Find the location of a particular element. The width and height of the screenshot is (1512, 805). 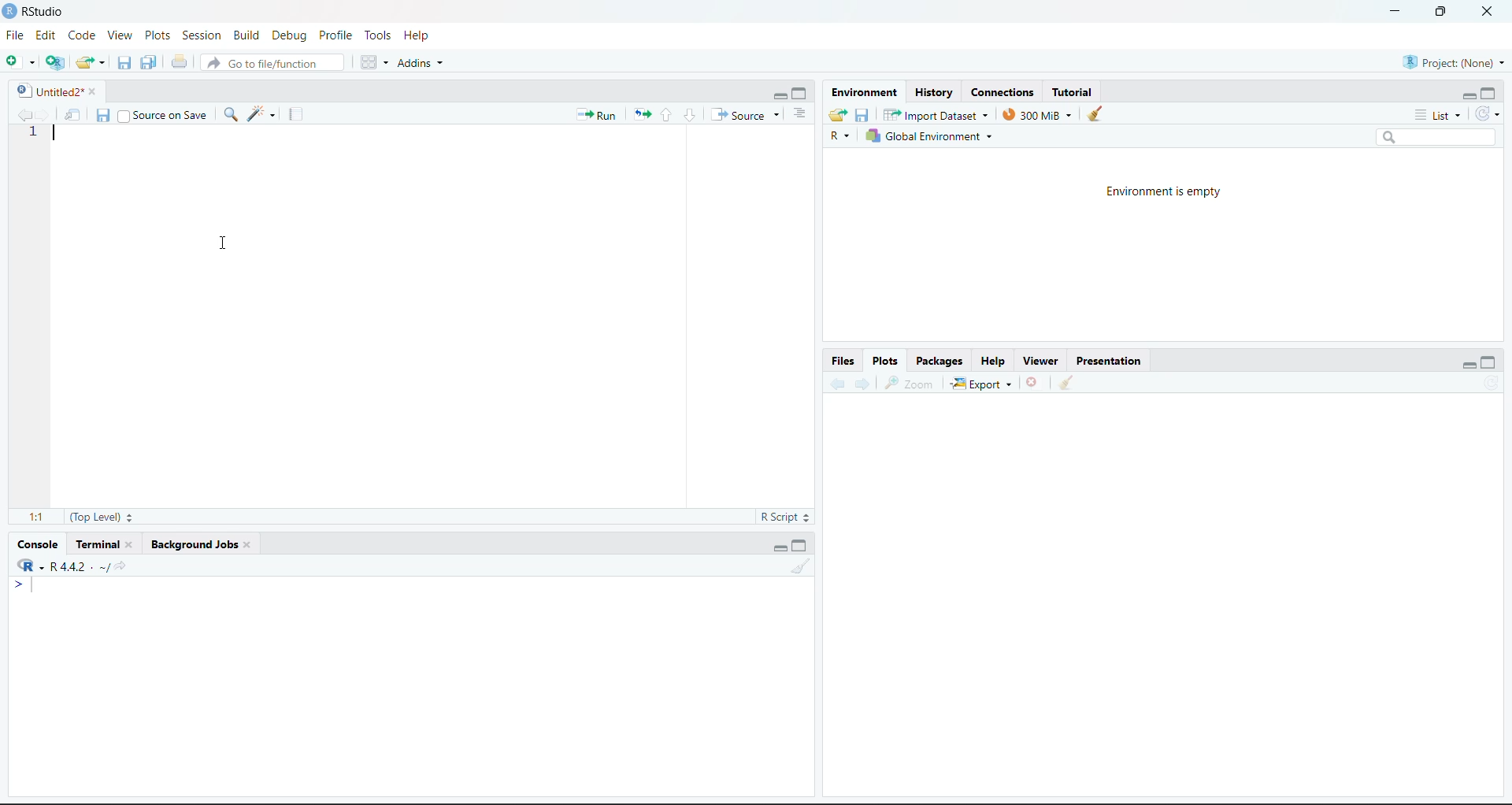

View is located at coordinates (119, 35).